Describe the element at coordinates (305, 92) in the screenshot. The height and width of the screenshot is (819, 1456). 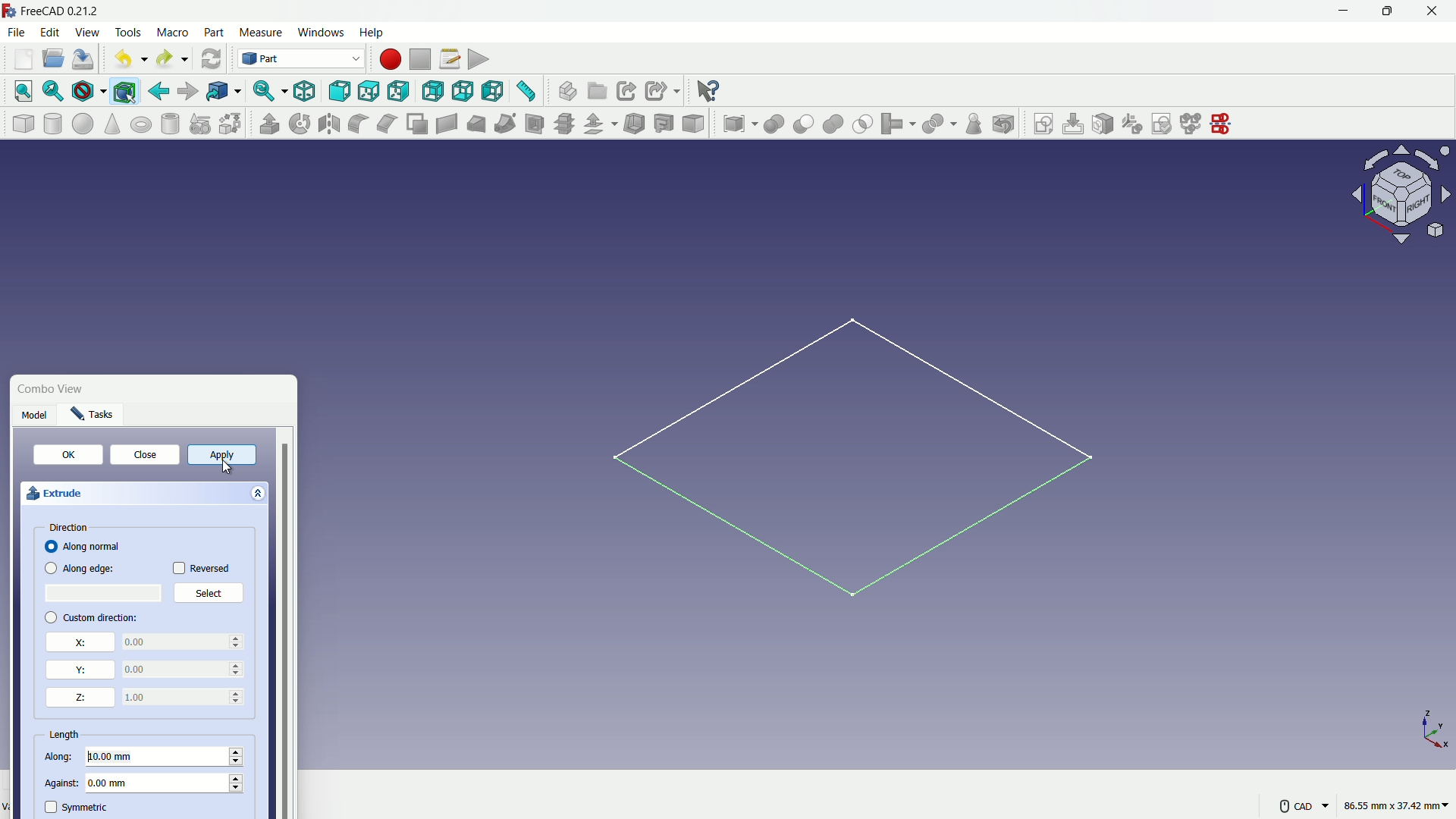
I see `isometric view` at that location.